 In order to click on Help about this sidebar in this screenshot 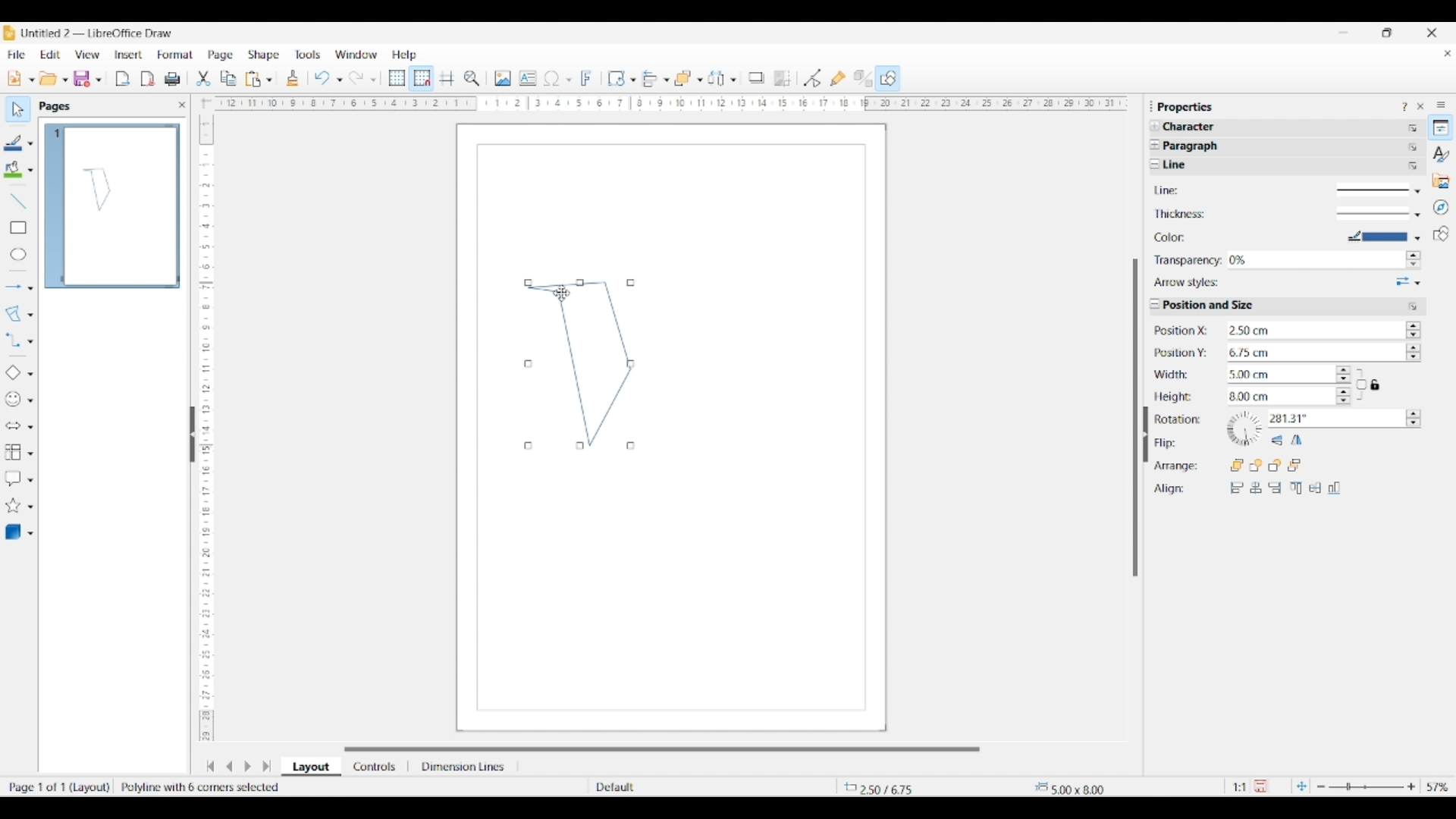, I will do `click(1404, 106)`.